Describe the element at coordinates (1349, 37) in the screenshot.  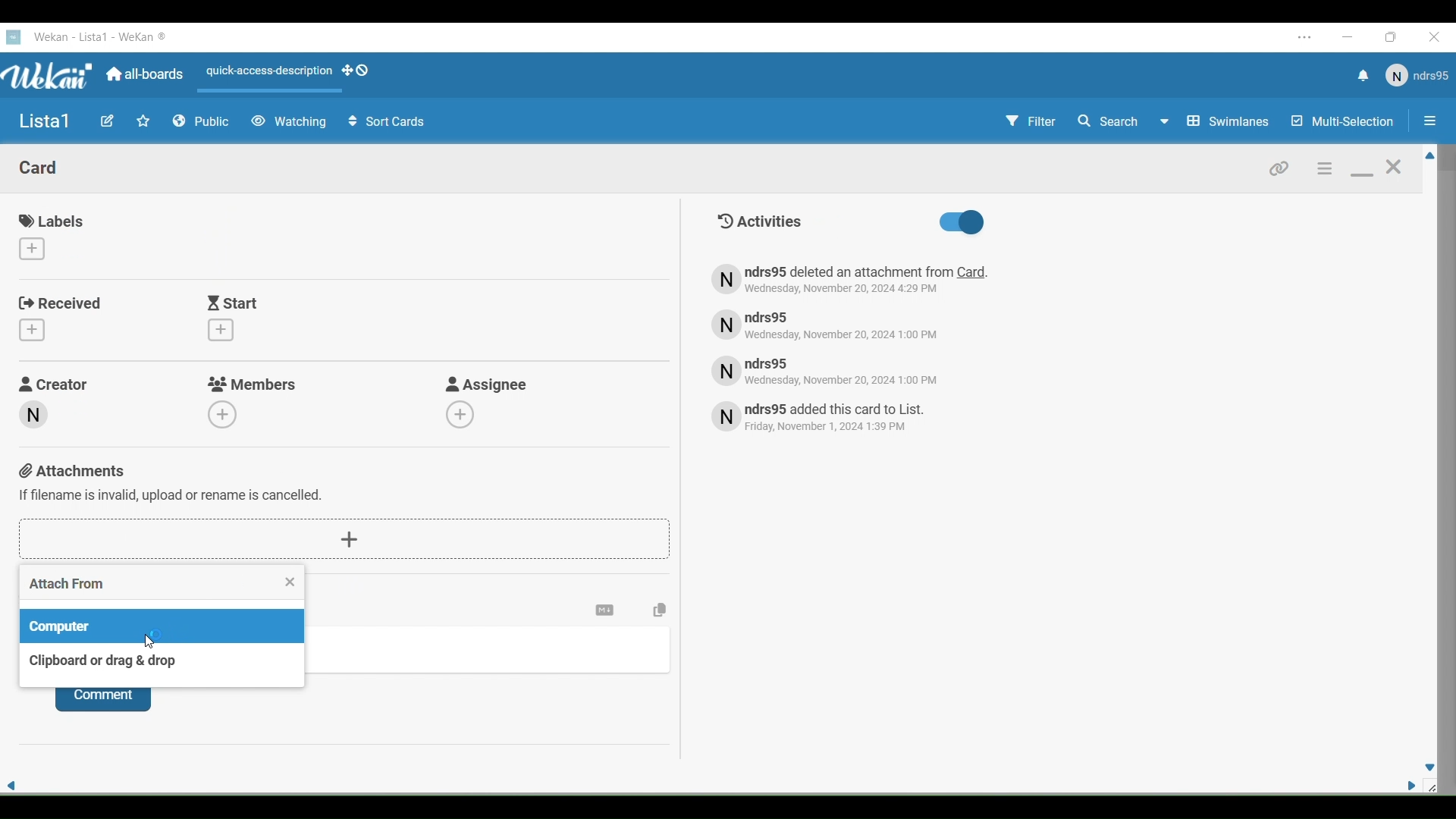
I see `Minimize` at that location.